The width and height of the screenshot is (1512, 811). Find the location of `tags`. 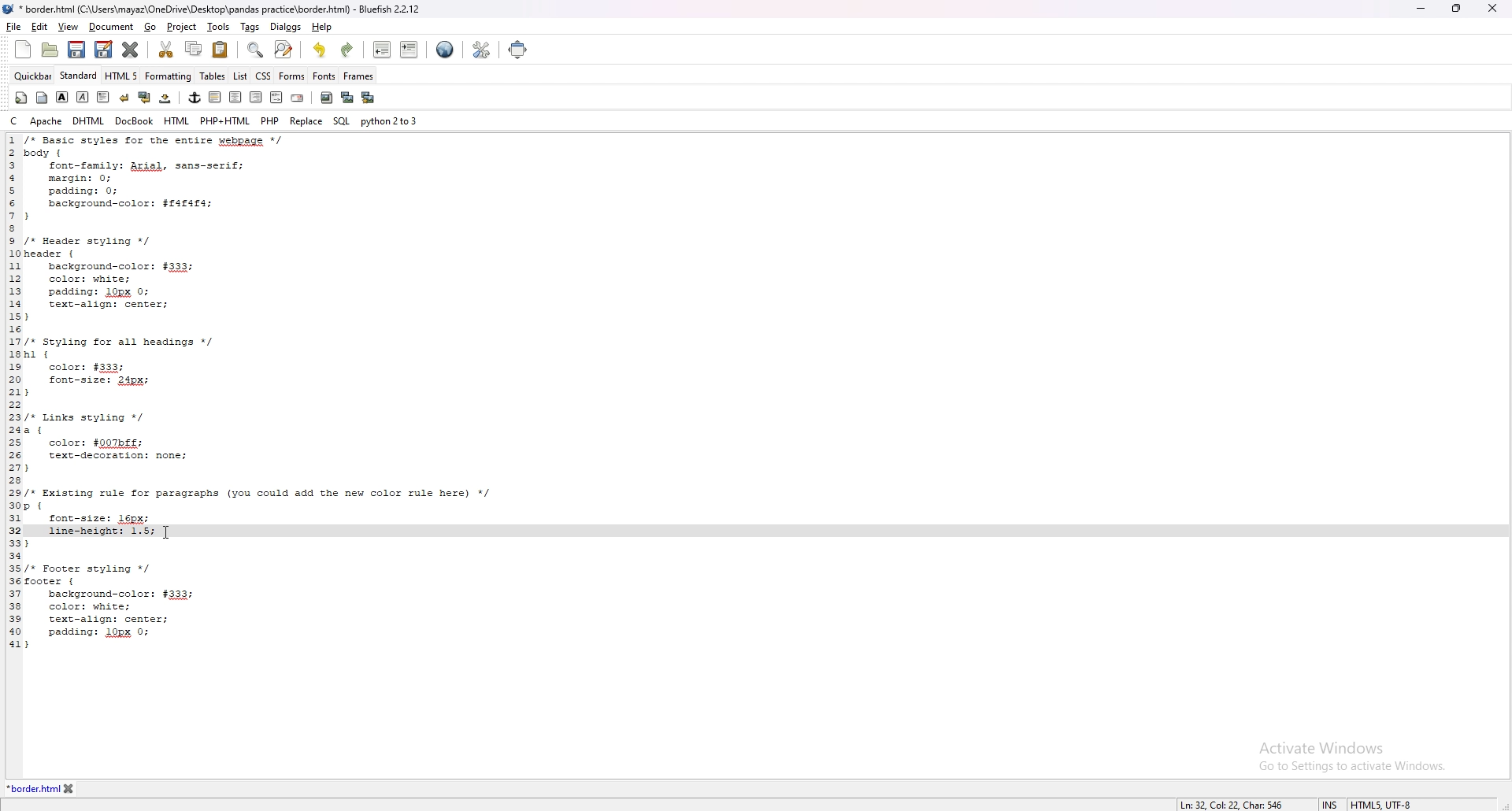

tags is located at coordinates (249, 26).